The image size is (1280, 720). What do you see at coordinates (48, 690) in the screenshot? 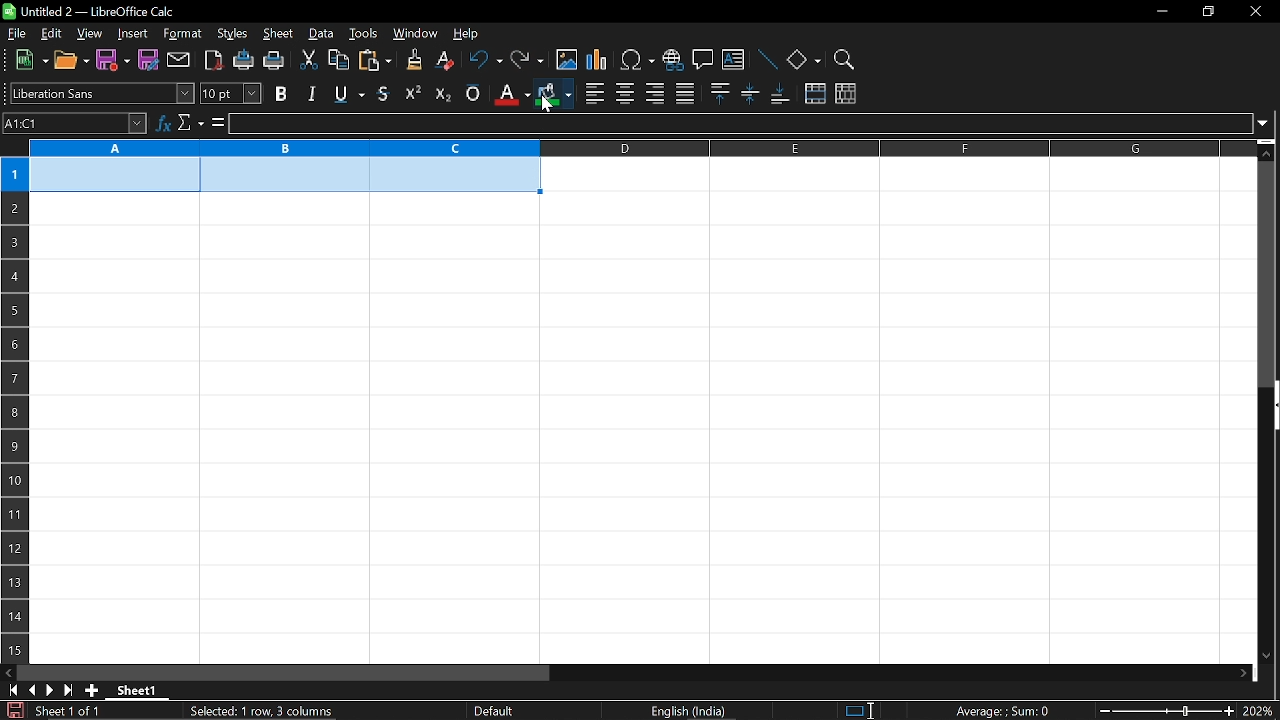
I see `next sheet` at bounding box center [48, 690].